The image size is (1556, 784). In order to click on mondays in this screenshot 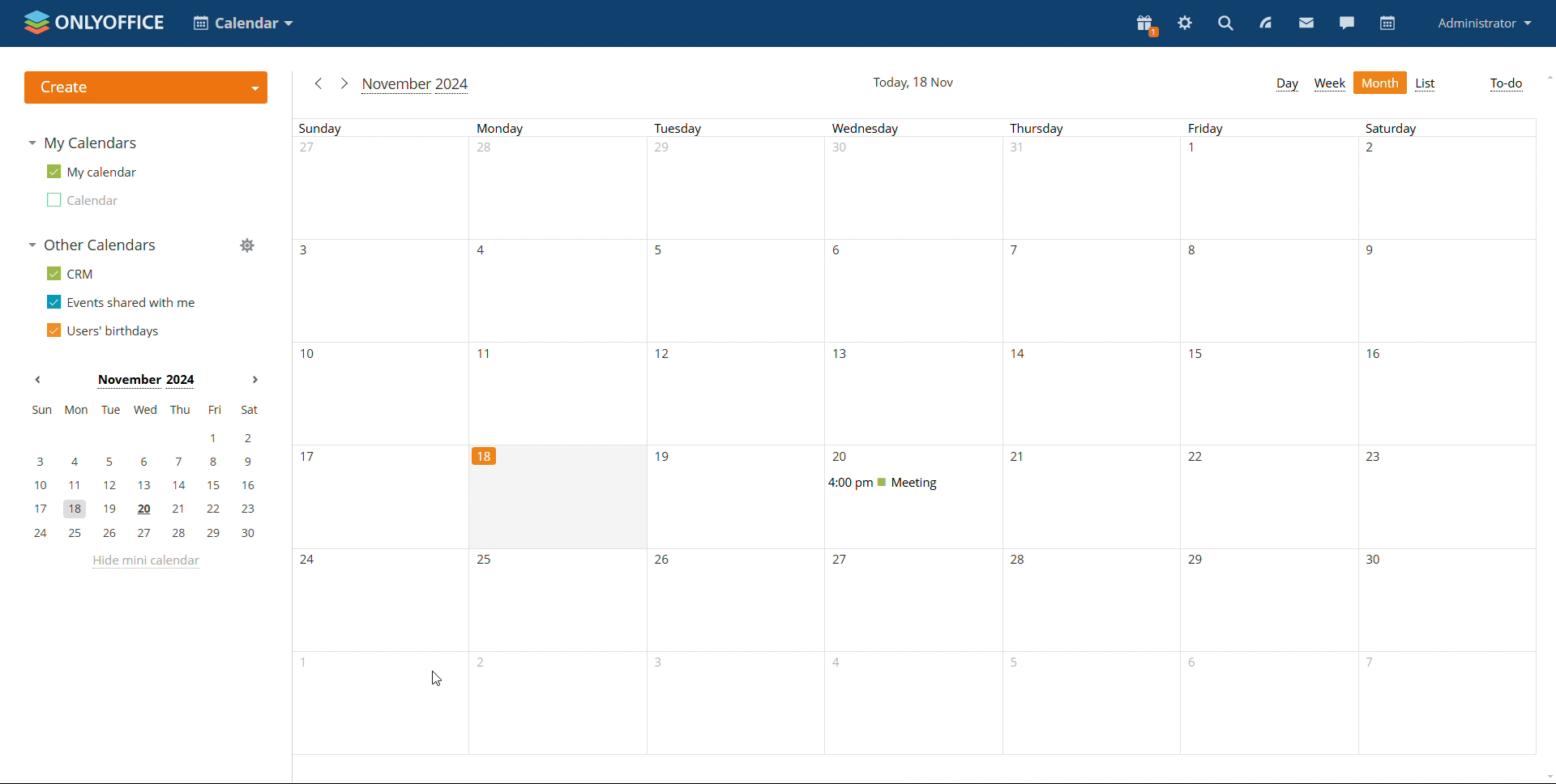, I will do `click(559, 654)`.